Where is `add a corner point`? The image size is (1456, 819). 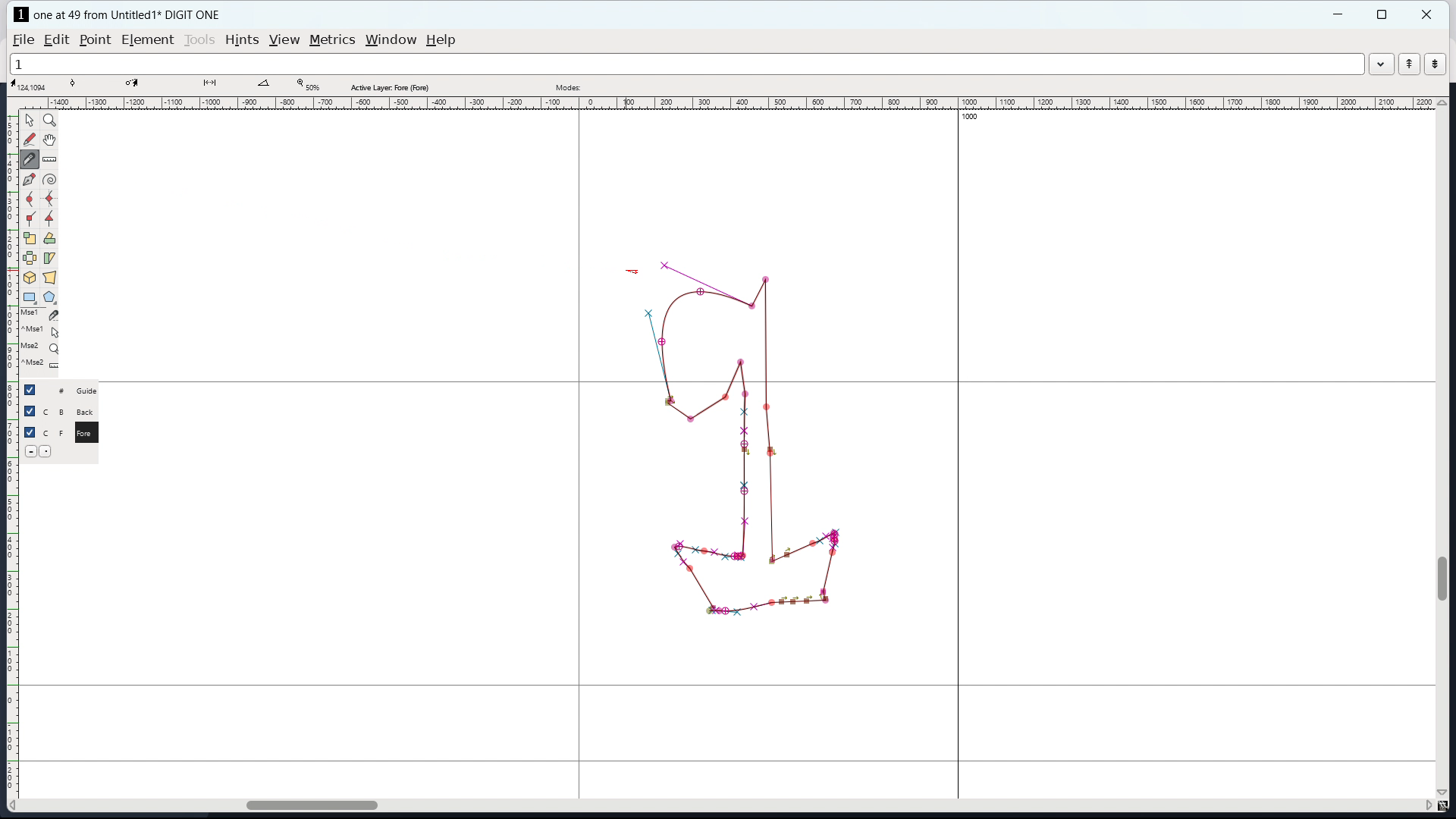 add a corner point is located at coordinates (30, 218).